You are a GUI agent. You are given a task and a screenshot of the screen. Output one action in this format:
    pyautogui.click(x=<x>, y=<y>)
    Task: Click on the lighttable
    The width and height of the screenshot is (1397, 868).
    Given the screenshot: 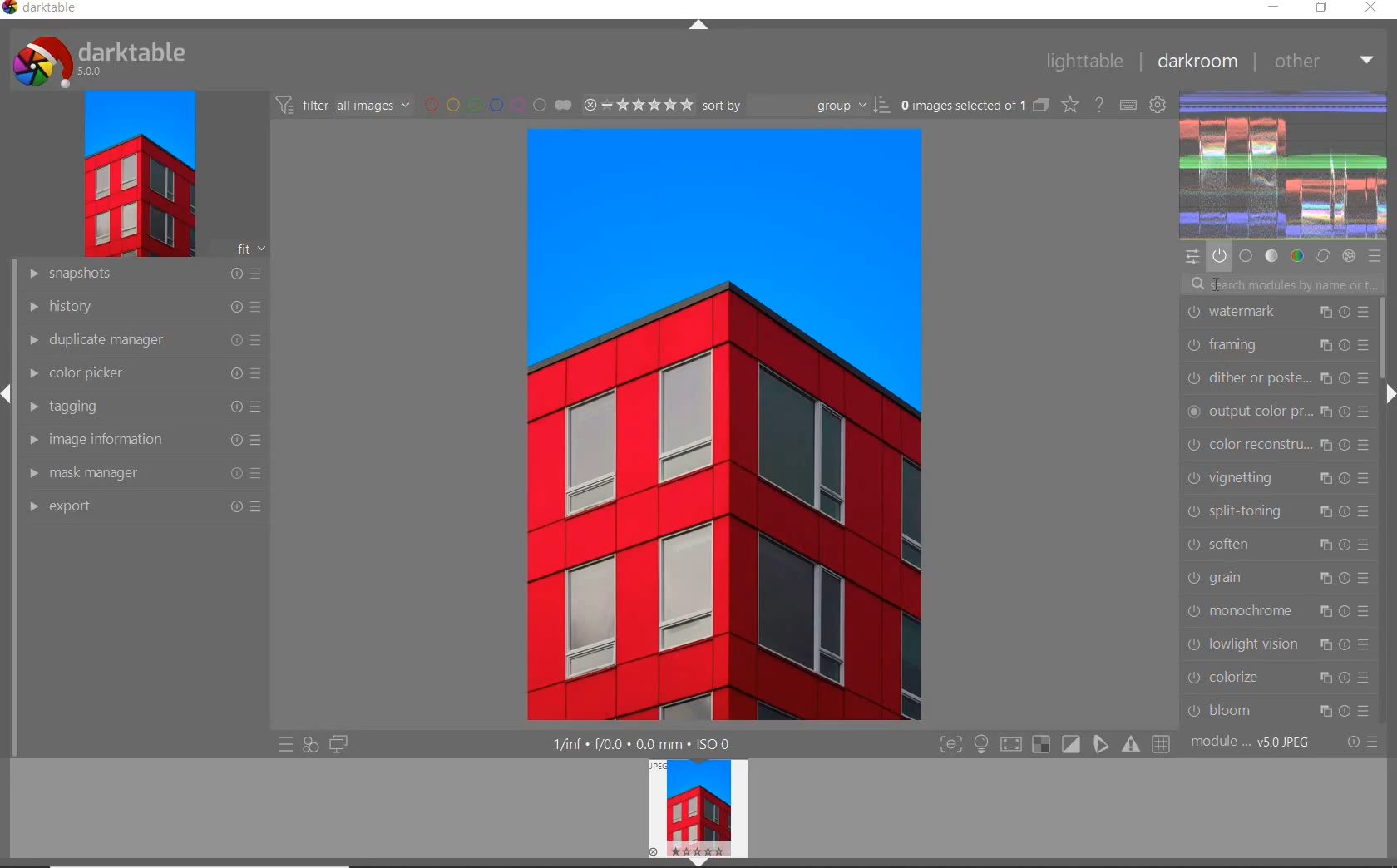 What is the action you would take?
    pyautogui.click(x=1083, y=62)
    